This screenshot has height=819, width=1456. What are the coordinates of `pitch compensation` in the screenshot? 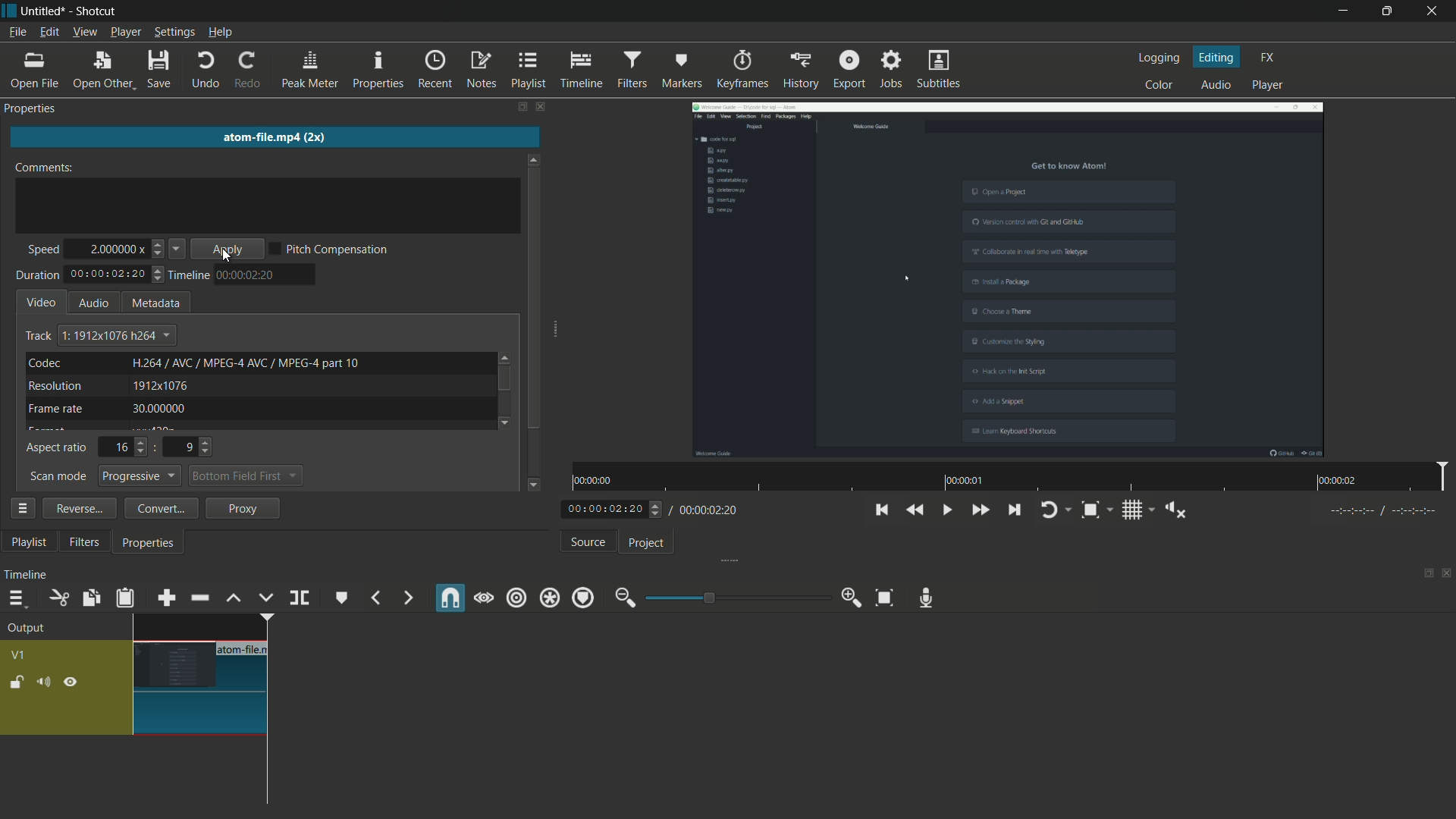 It's located at (337, 247).